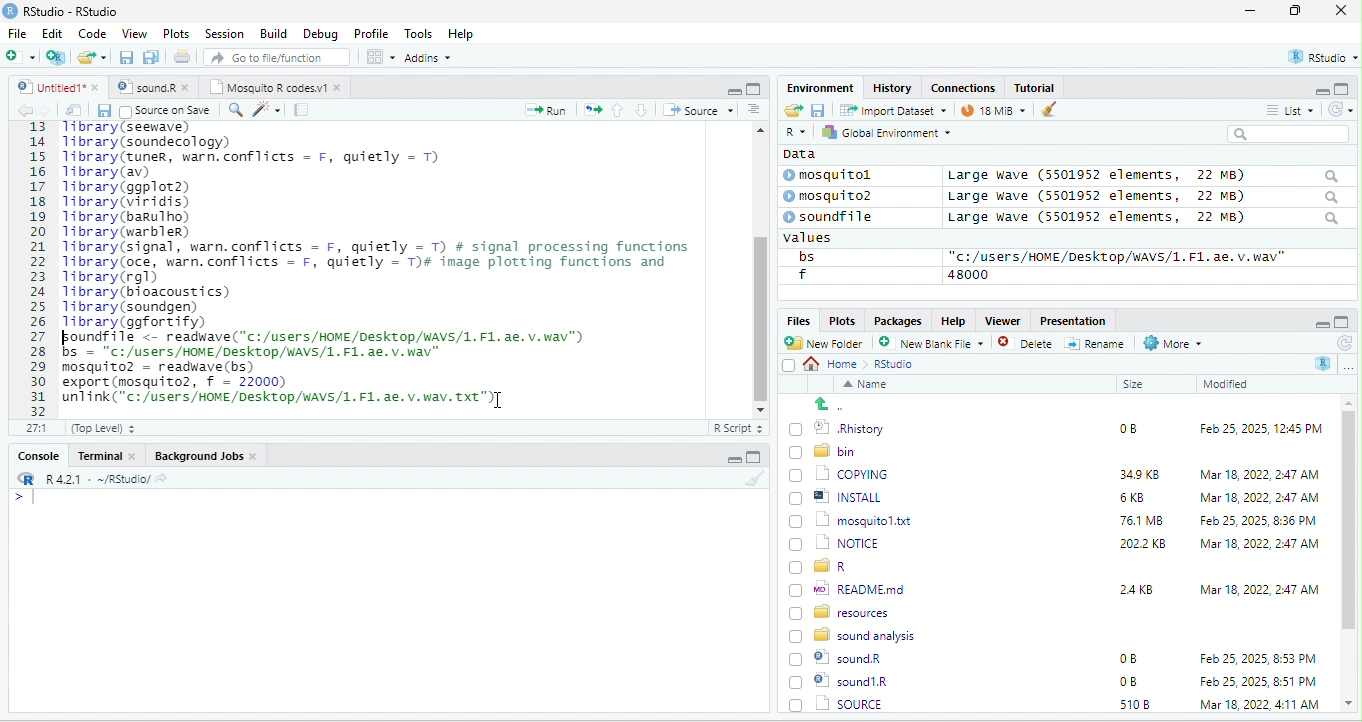 The width and height of the screenshot is (1362, 722). Describe the element at coordinates (1121, 426) in the screenshot. I see `0B` at that location.